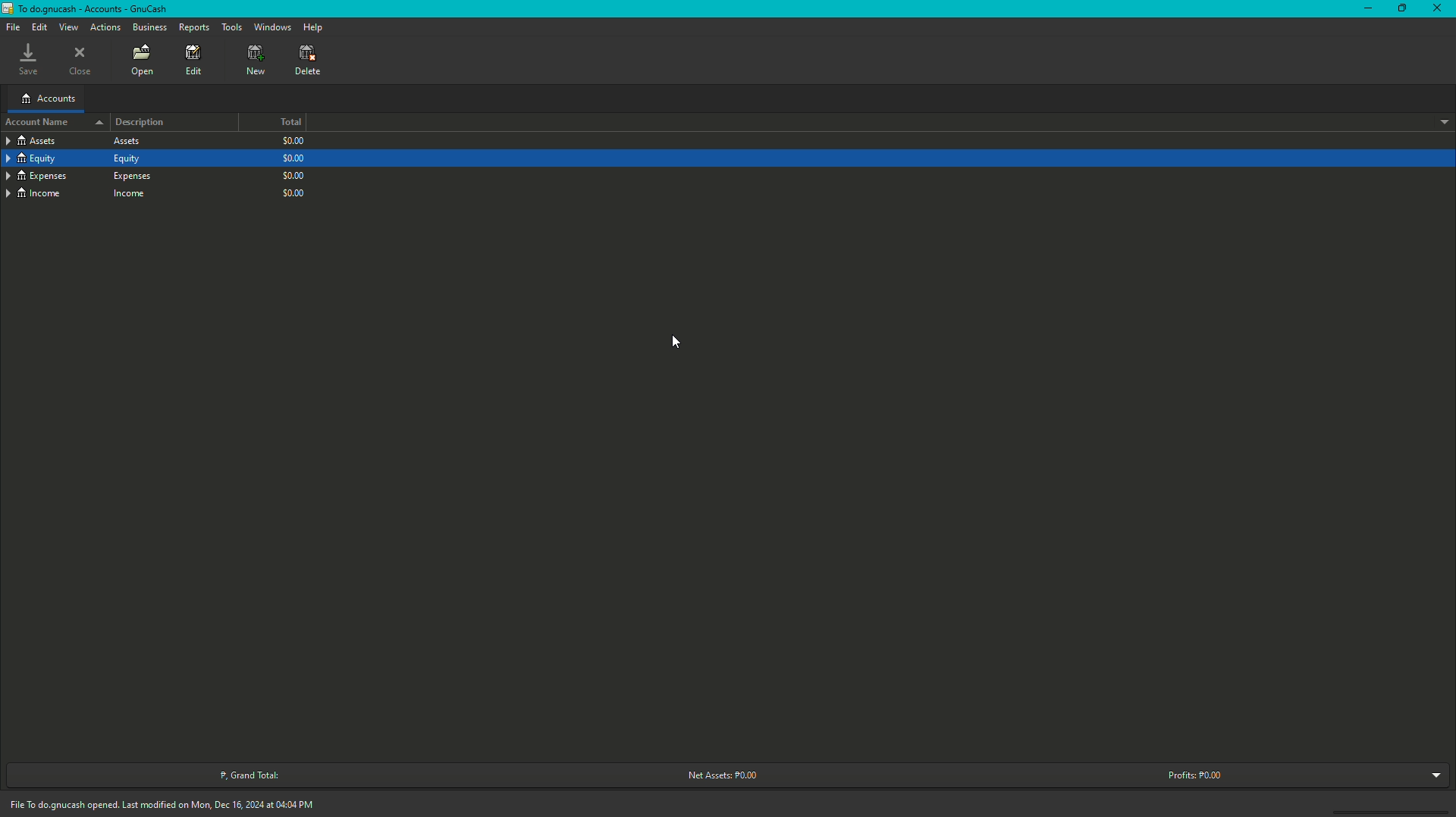 Image resolution: width=1456 pixels, height=817 pixels. What do you see at coordinates (77, 140) in the screenshot?
I see `Assets` at bounding box center [77, 140].